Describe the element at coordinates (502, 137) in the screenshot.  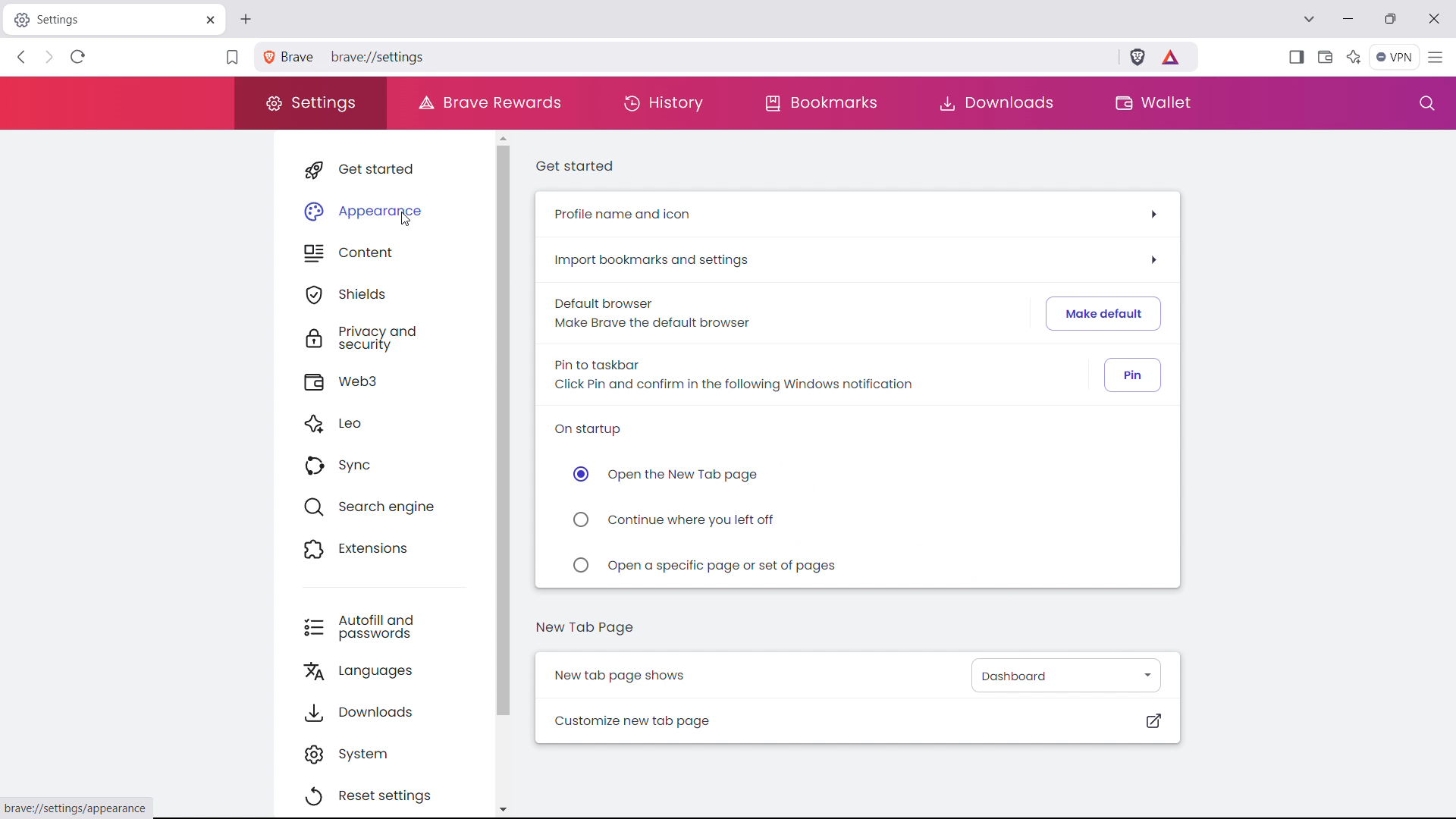
I see `scroll up` at that location.